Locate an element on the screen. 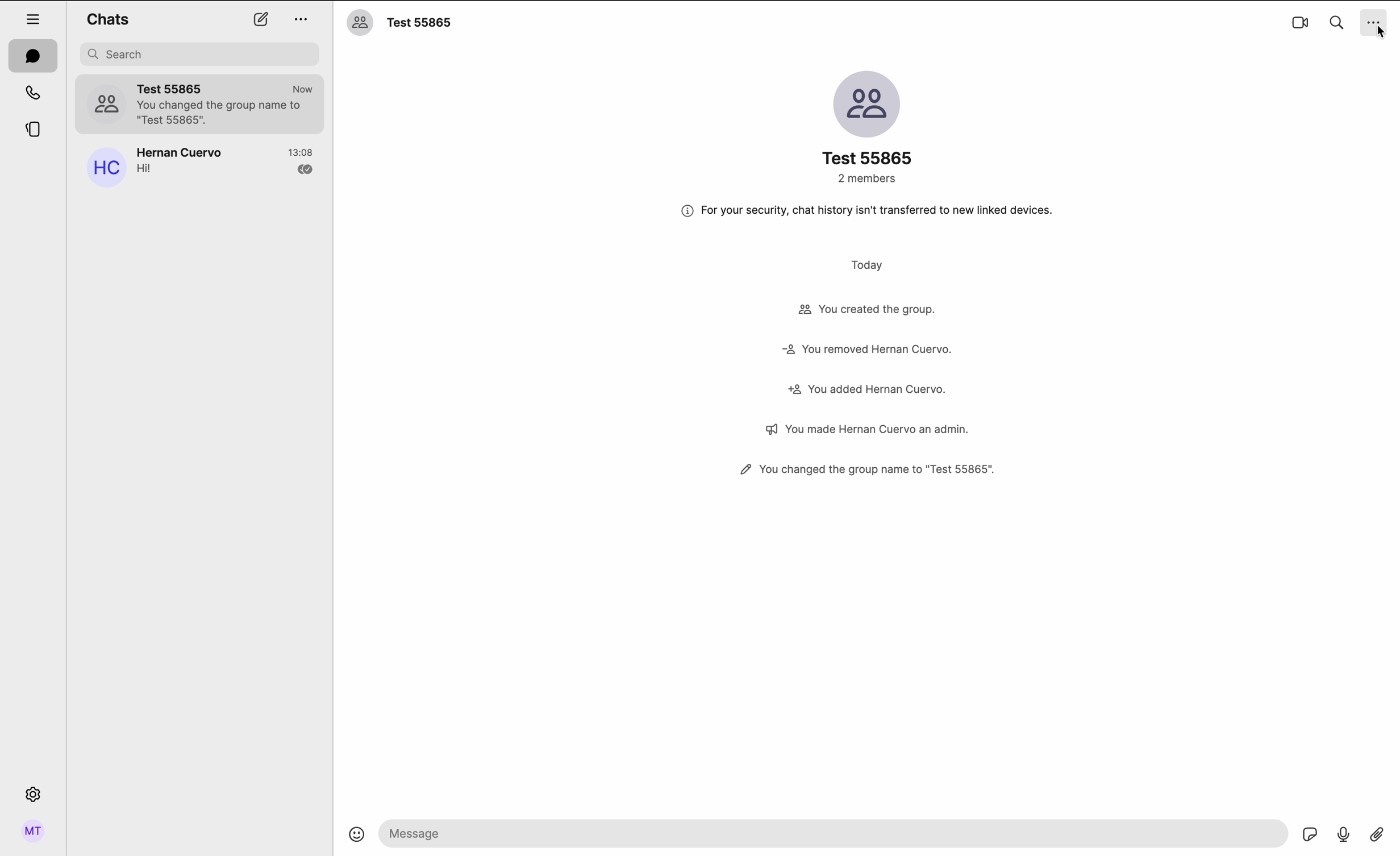 Image resolution: width=1400 pixels, height=856 pixels. click on more options is located at coordinates (1374, 24).